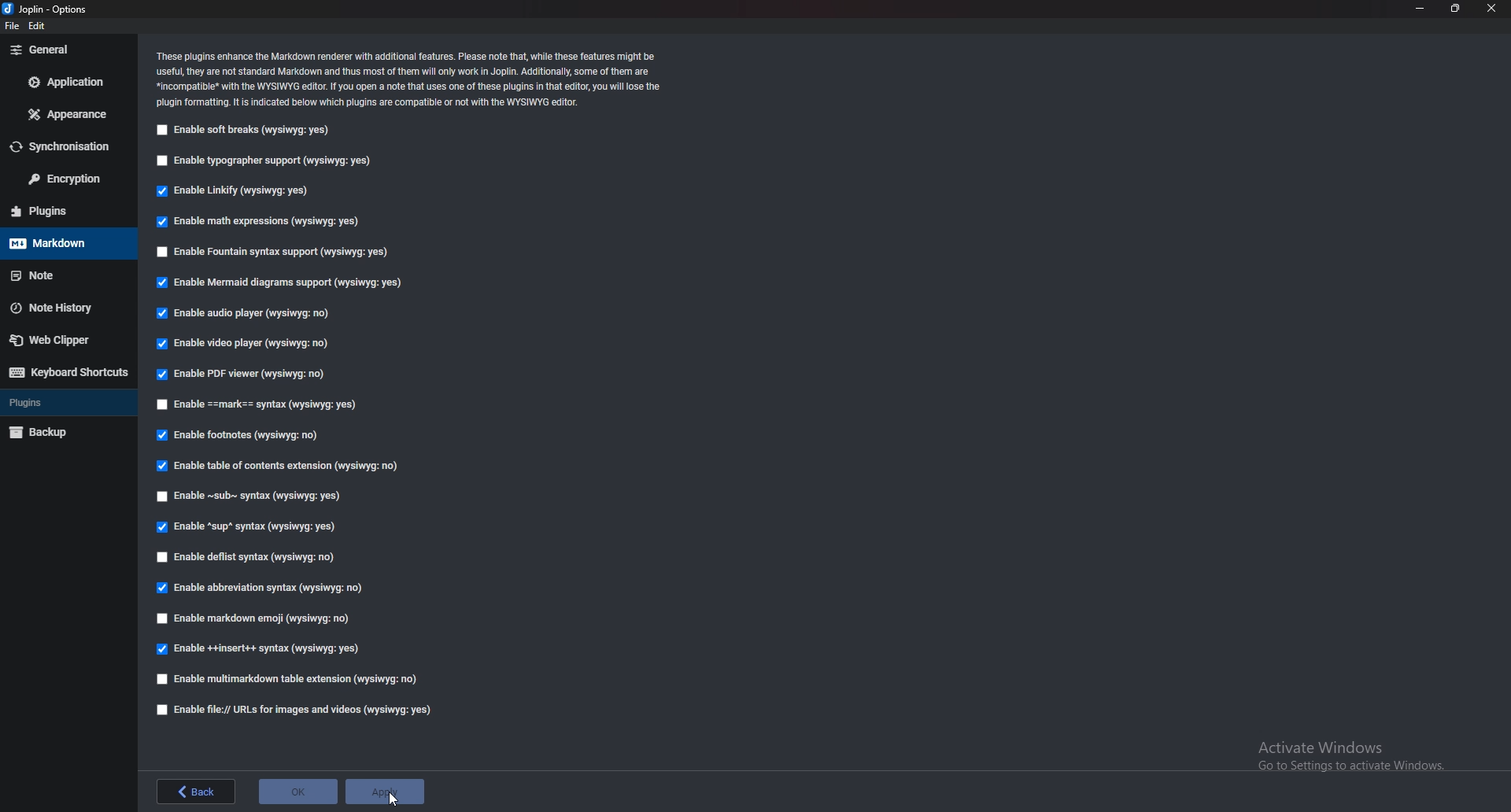 Image resolution: width=1511 pixels, height=812 pixels. What do you see at coordinates (247, 555) in the screenshot?
I see `enable deflist syntax` at bounding box center [247, 555].